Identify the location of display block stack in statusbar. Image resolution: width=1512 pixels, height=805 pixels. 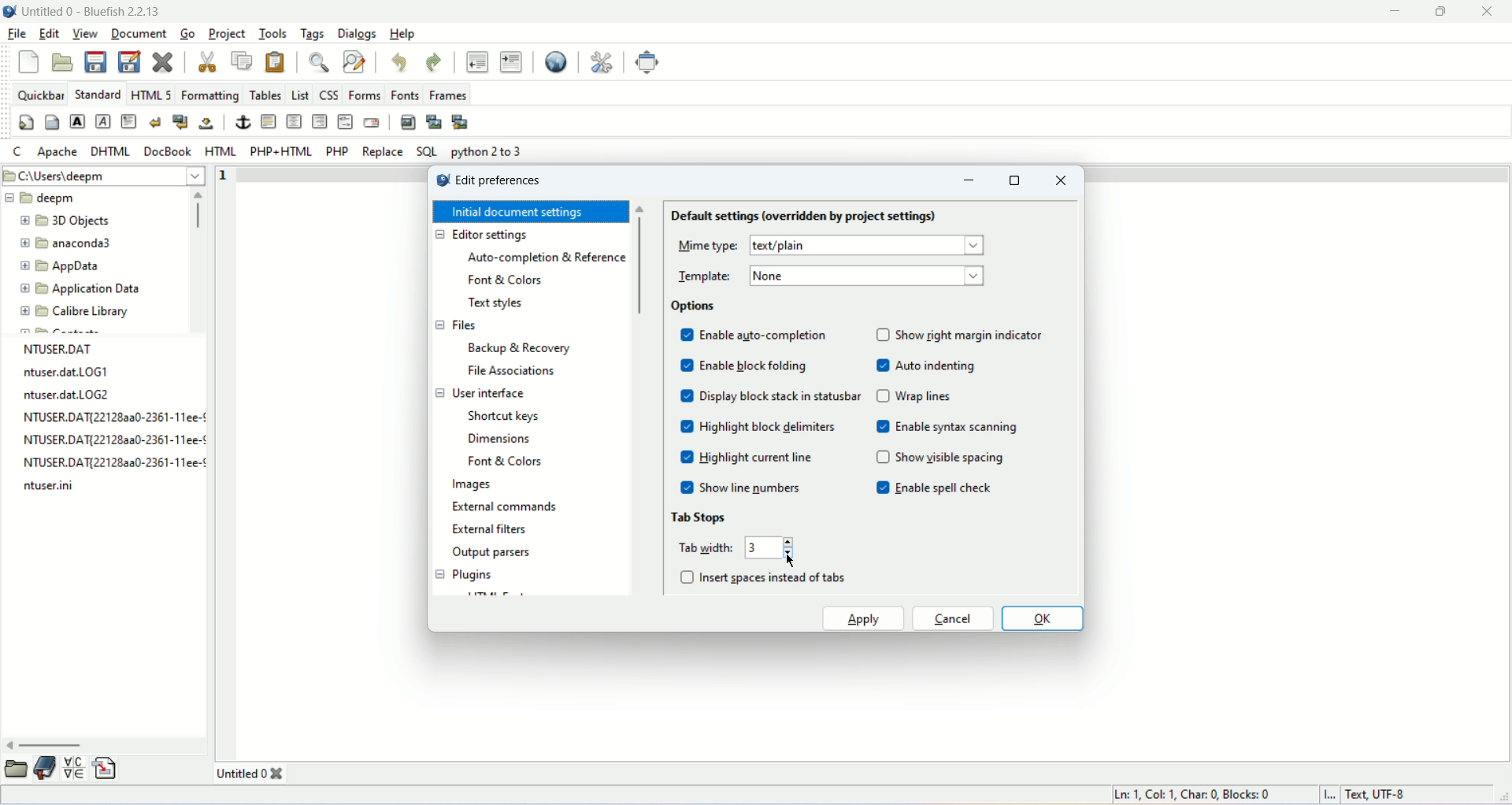
(781, 395).